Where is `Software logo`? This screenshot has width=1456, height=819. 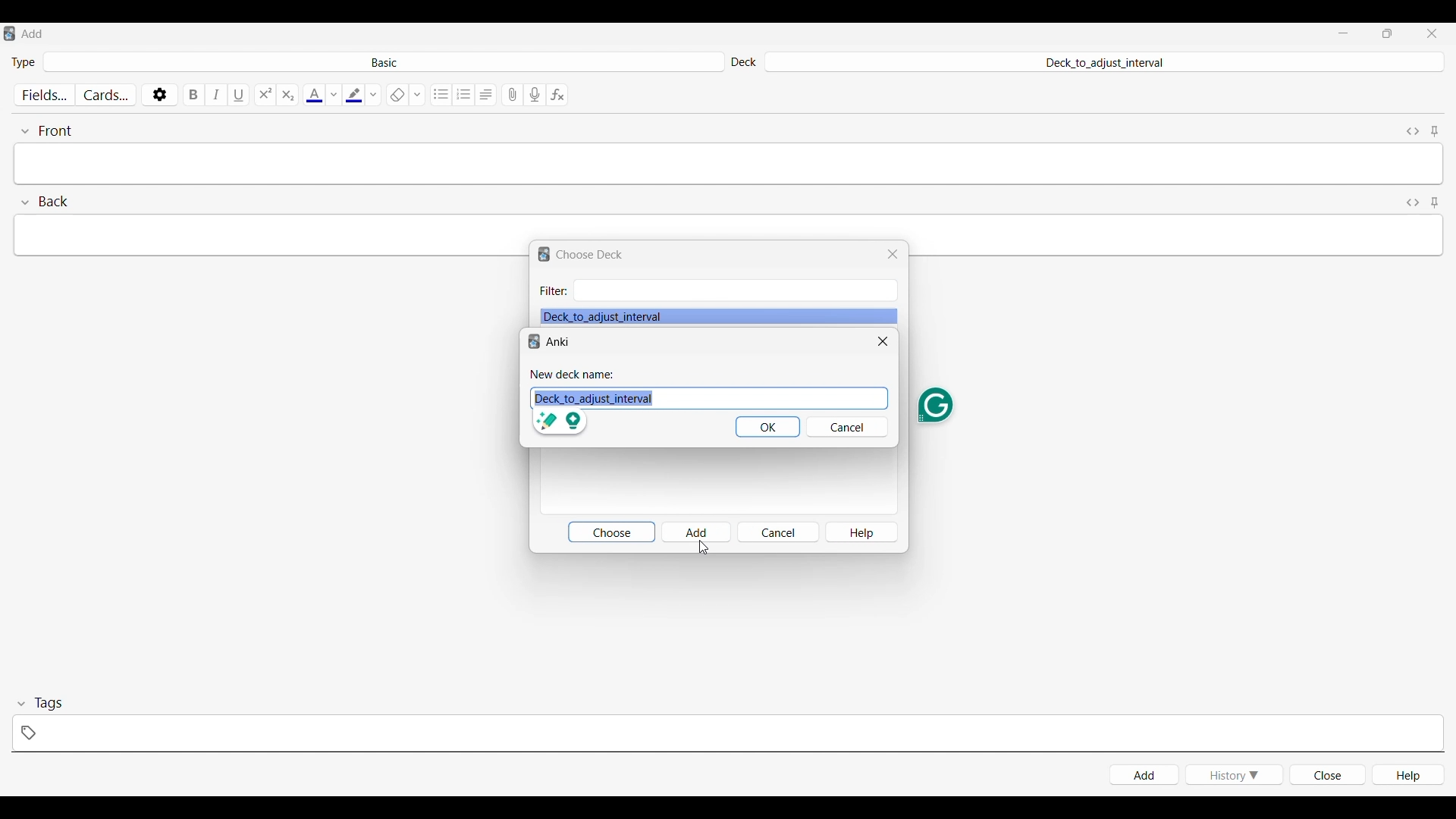
Software logo is located at coordinates (544, 255).